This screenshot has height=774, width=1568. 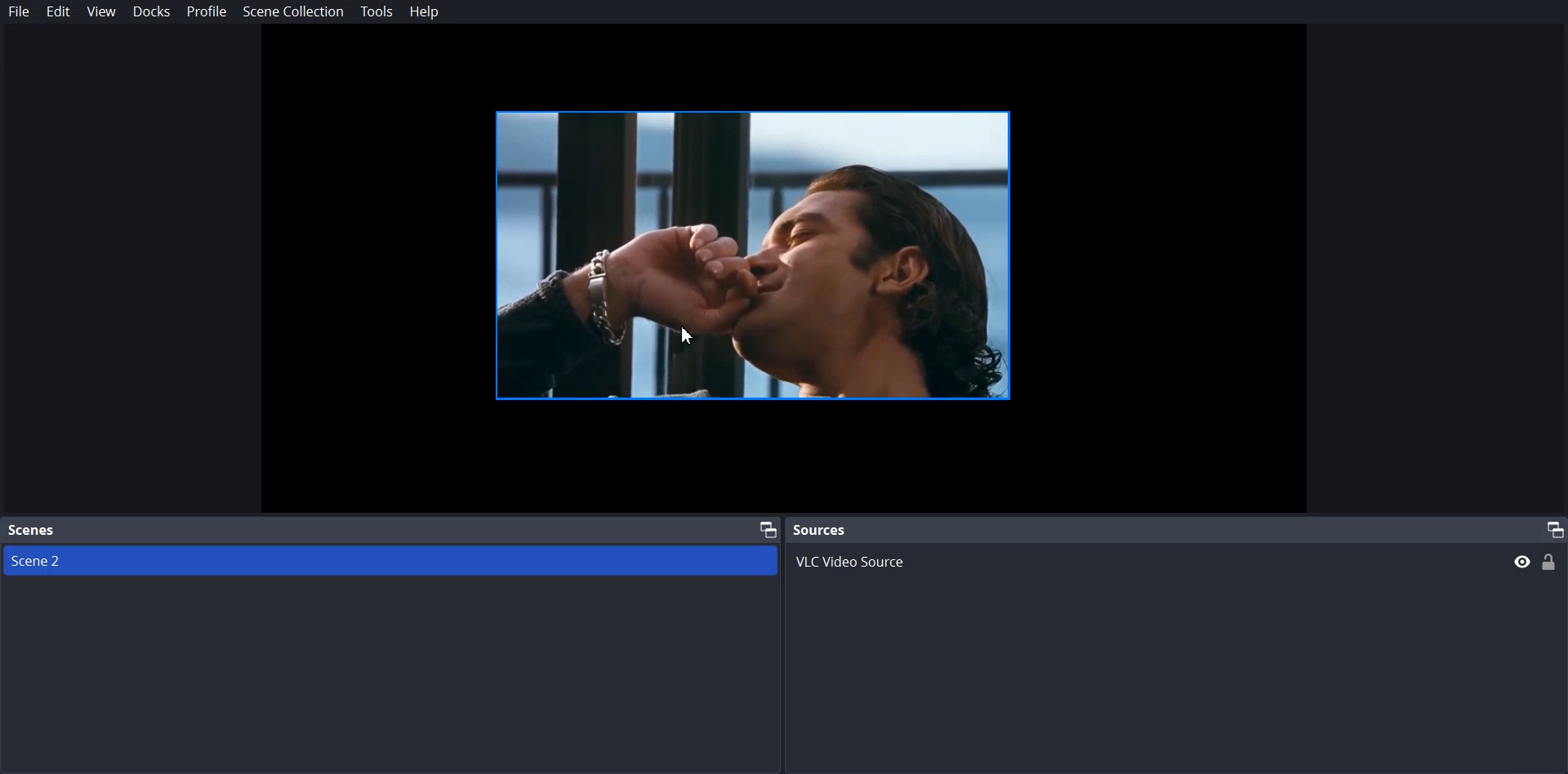 I want to click on Cursor, so click(x=687, y=335).